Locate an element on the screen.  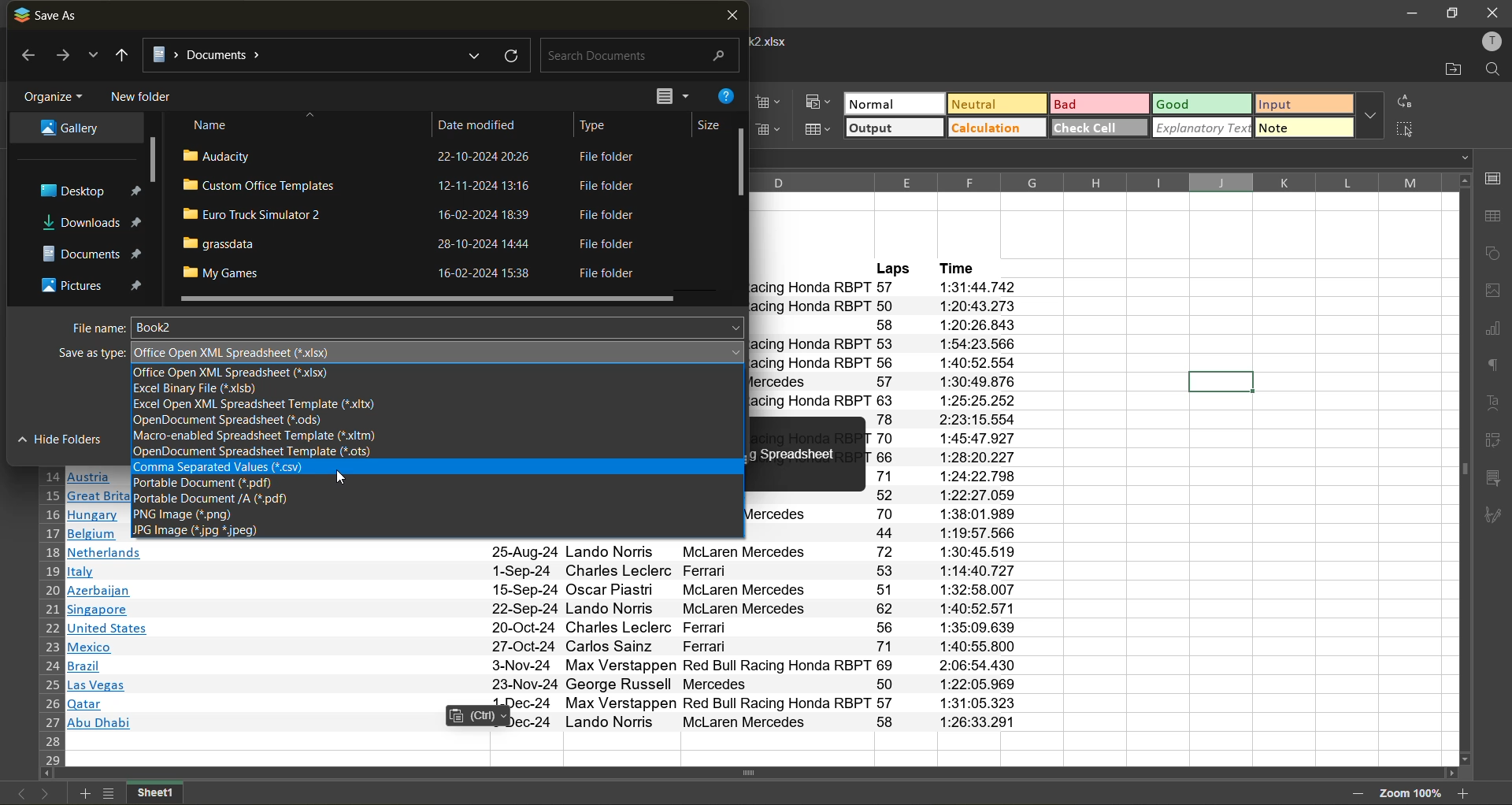
go to the history is located at coordinates (122, 55).